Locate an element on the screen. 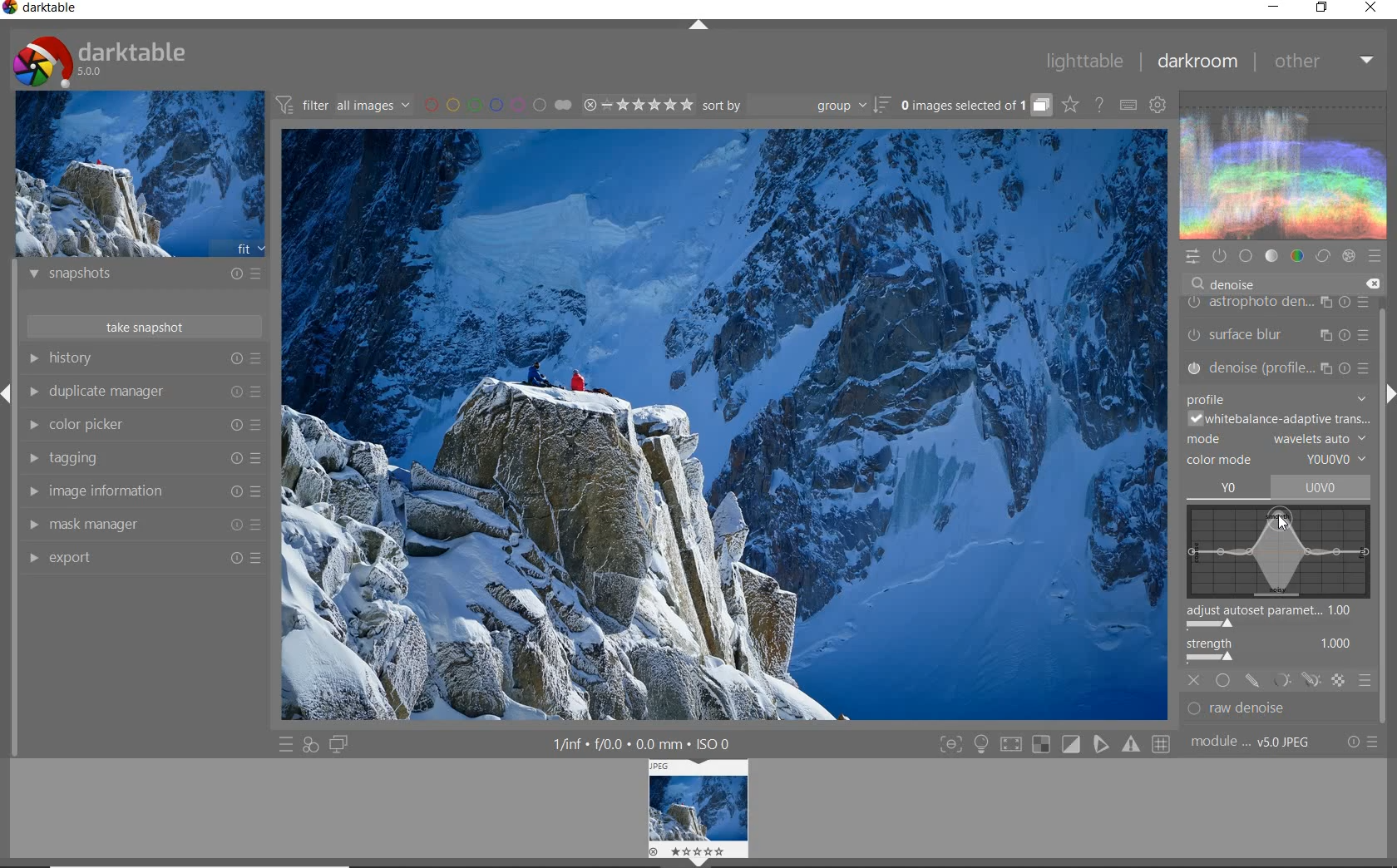 The image size is (1397, 868). range ratings for selected images is located at coordinates (639, 105).